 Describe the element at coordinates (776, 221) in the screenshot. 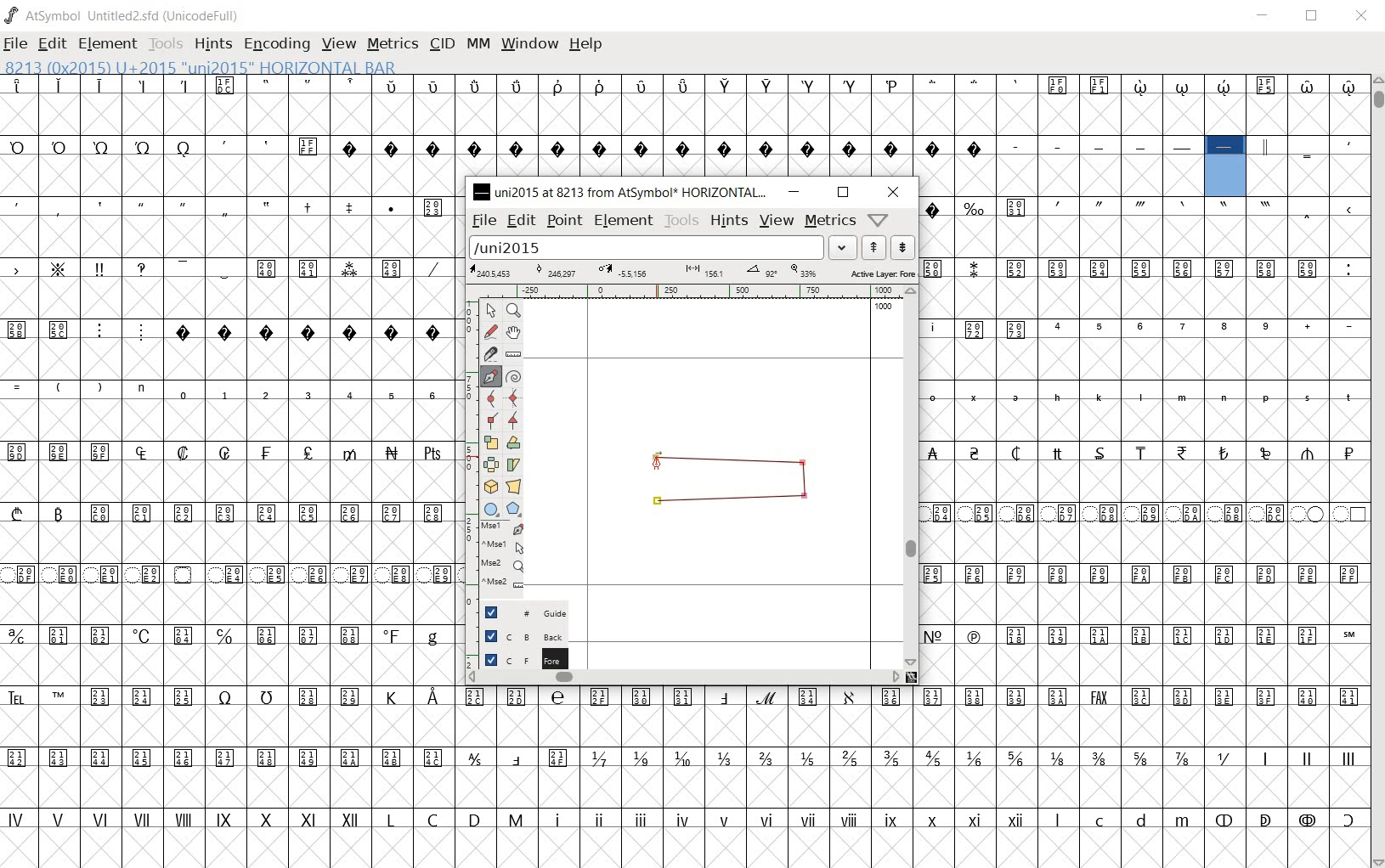

I see `view` at that location.